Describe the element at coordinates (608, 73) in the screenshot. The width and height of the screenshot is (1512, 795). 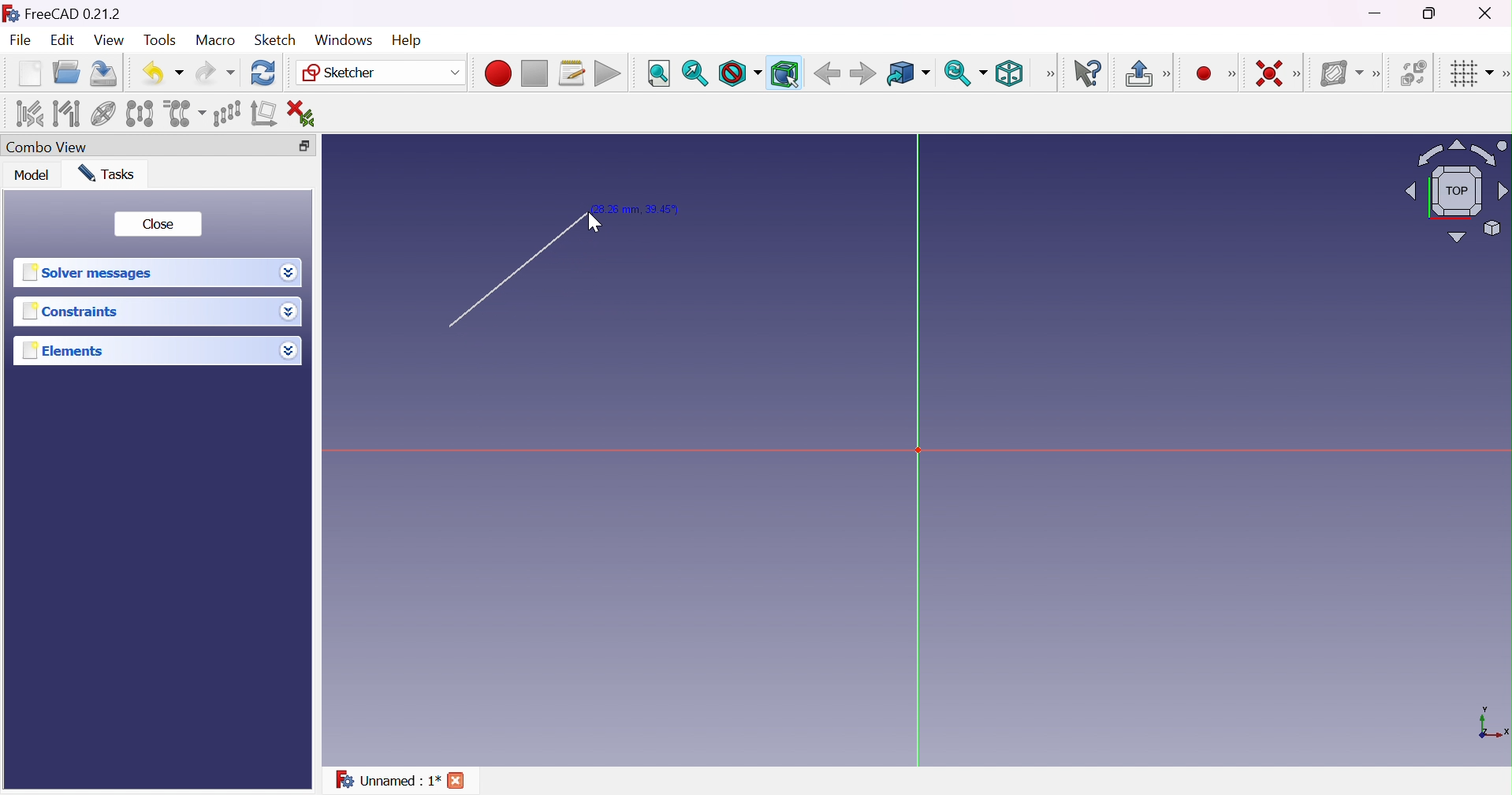
I see `Execute macro` at that location.